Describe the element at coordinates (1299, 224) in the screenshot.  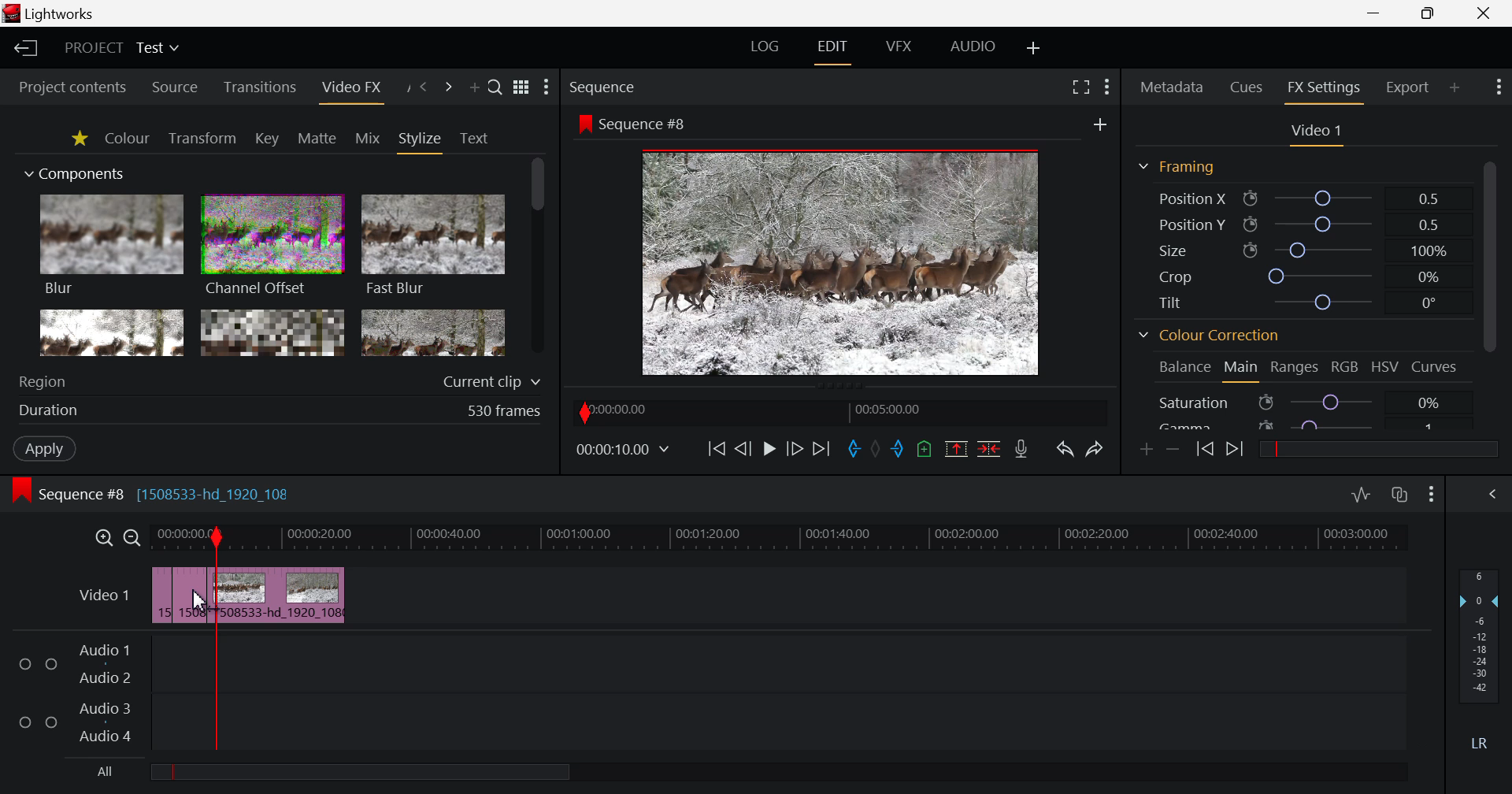
I see `Position Y` at that location.